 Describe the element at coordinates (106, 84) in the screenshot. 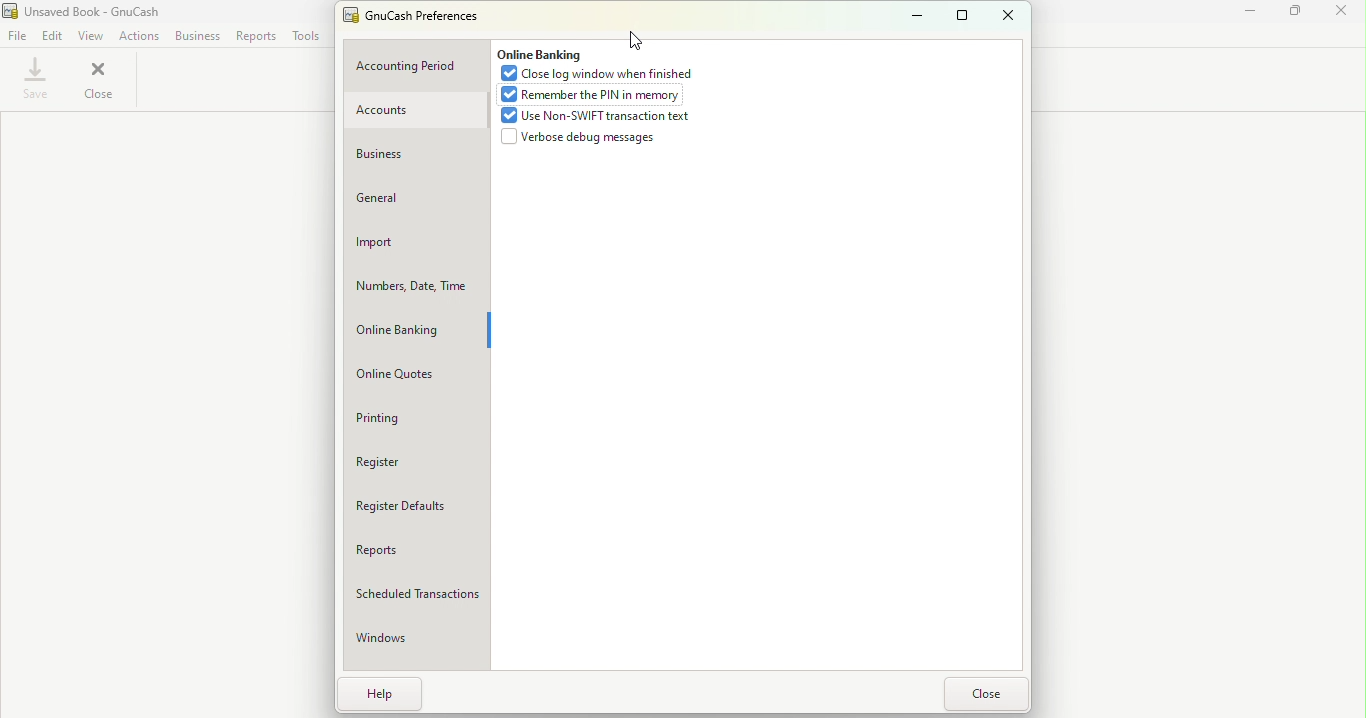

I see `Close` at that location.